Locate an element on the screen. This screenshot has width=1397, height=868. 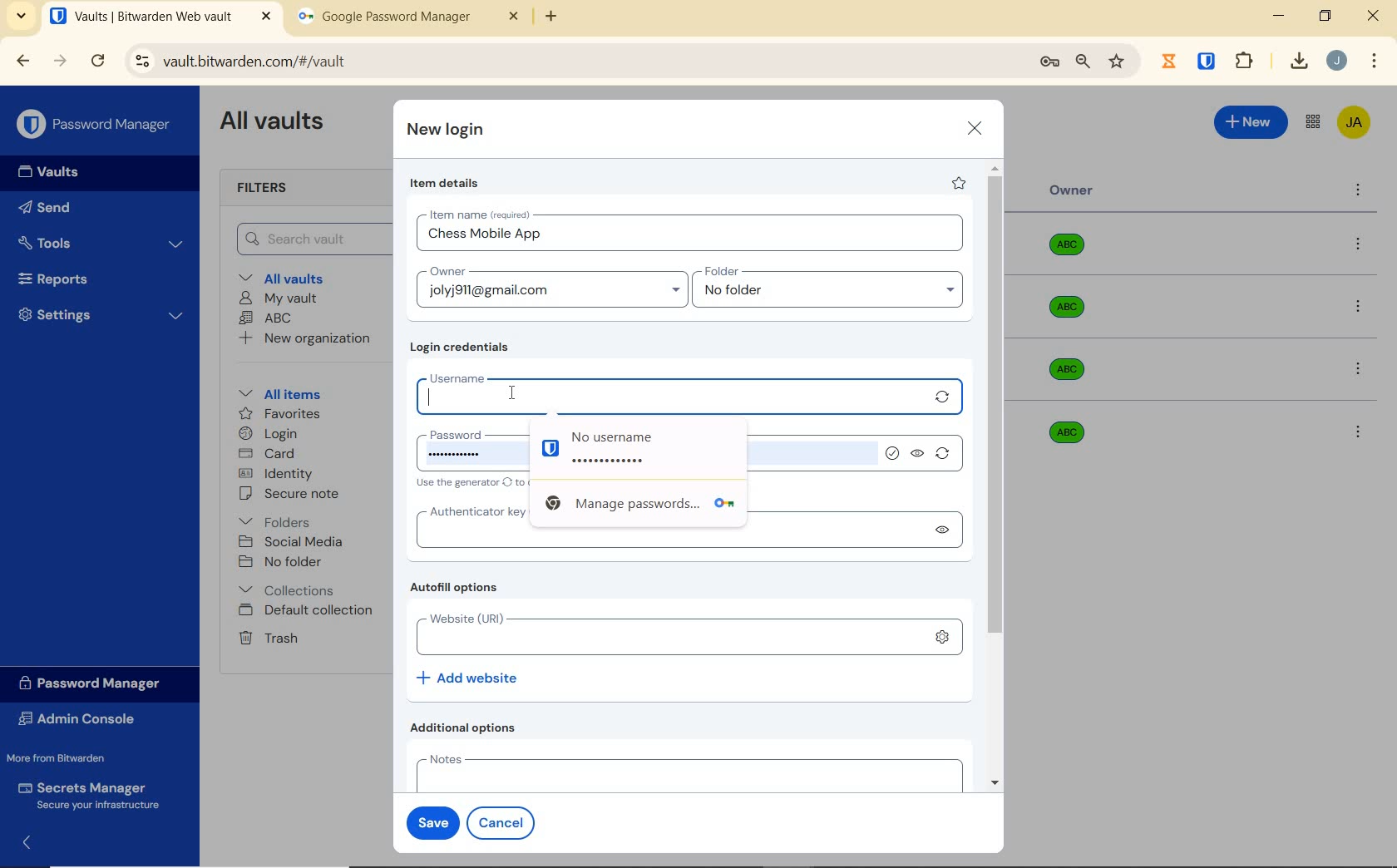
Bitwarden Account is located at coordinates (1354, 124).